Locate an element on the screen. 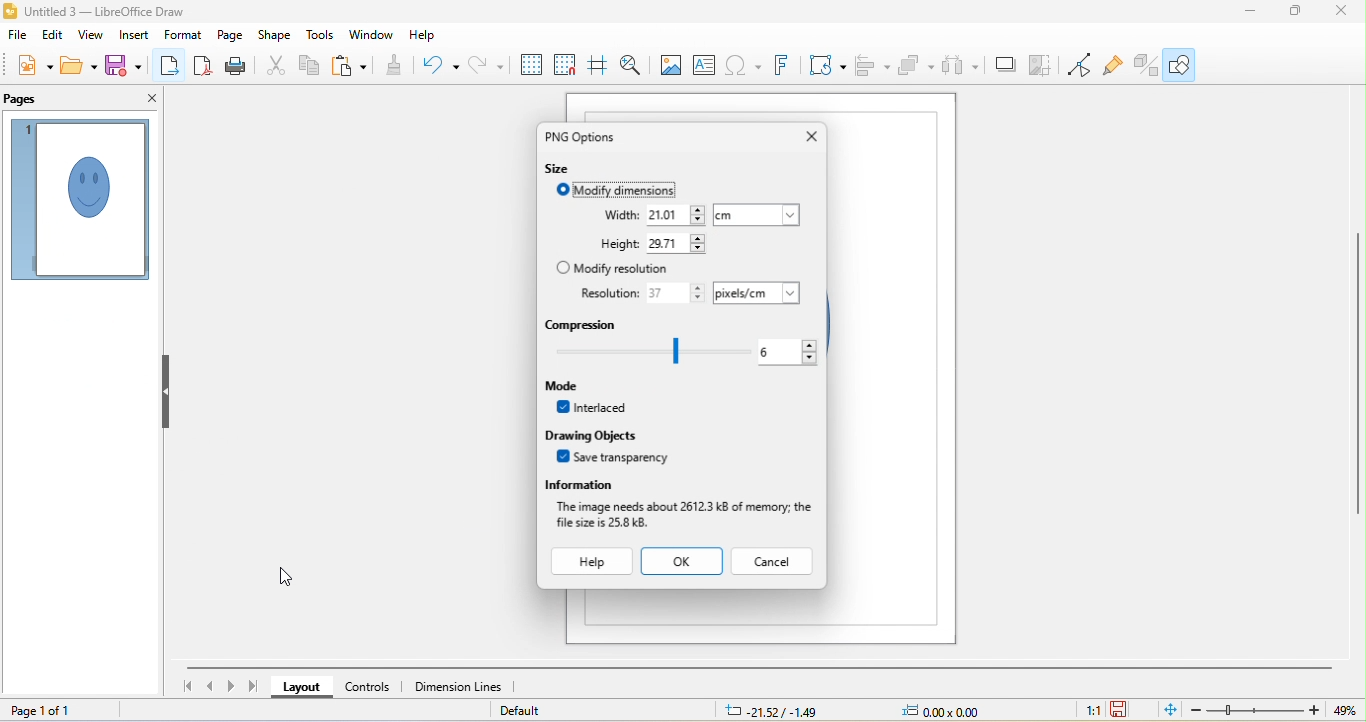 This screenshot has height=722, width=1366. insert special characters is located at coordinates (744, 66).